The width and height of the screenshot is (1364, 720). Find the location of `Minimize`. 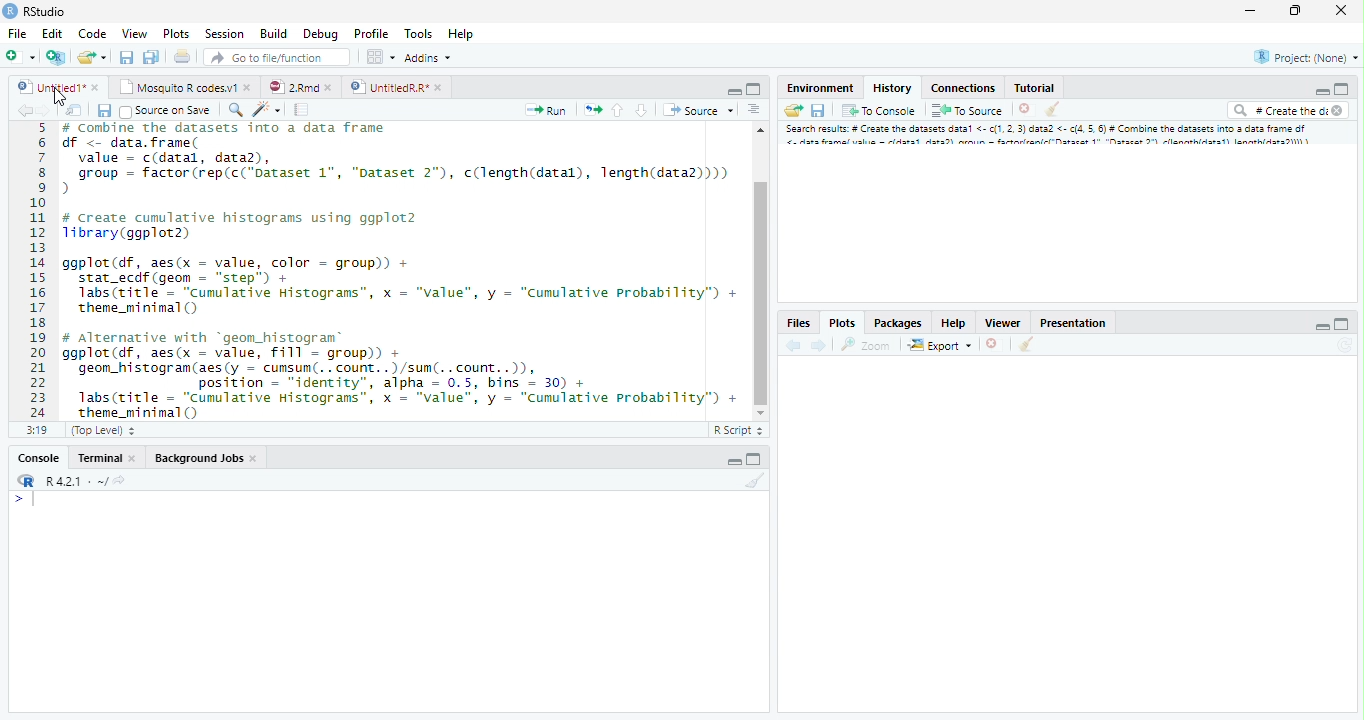

Minimize is located at coordinates (1319, 325).